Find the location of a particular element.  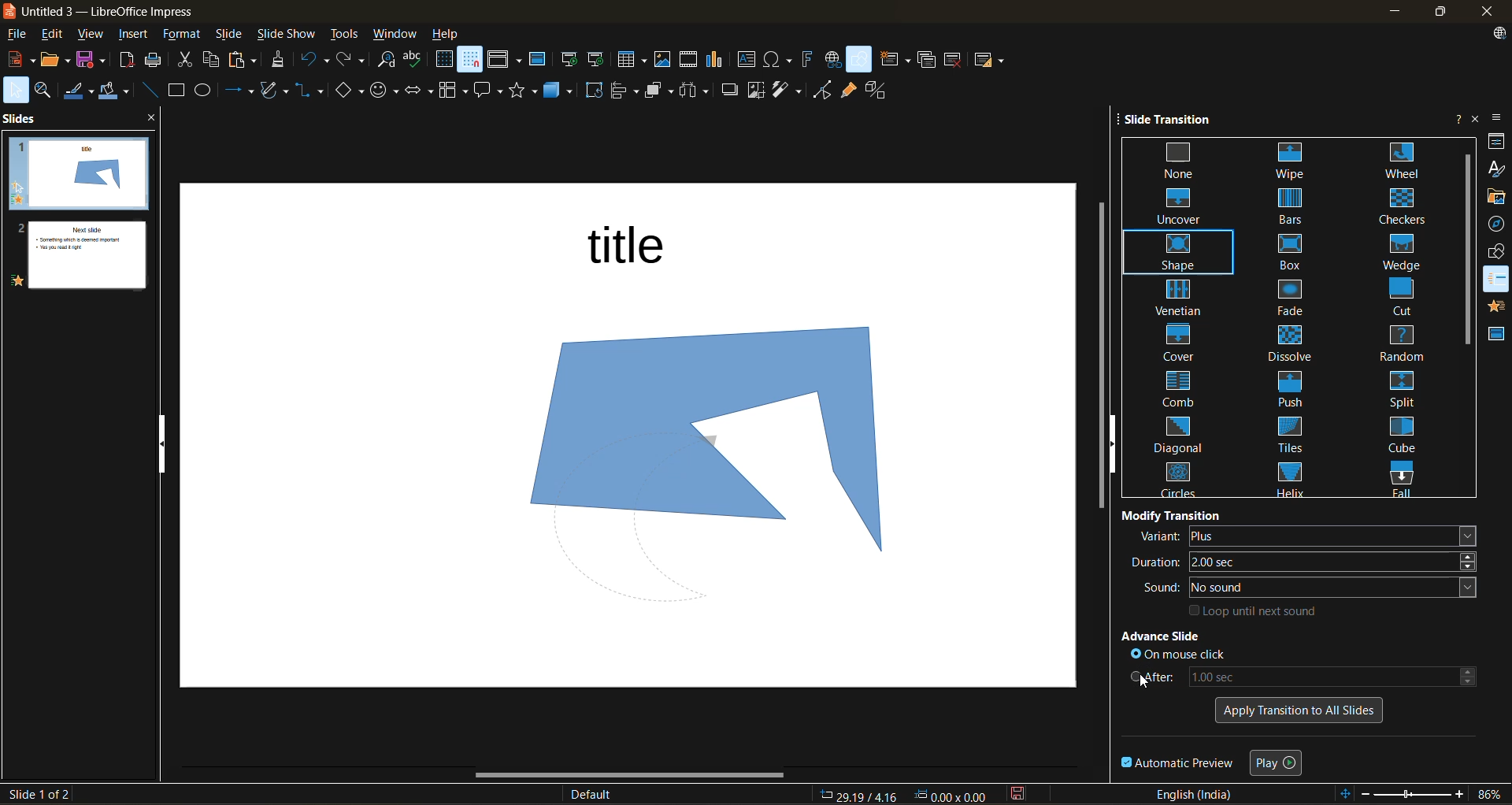

modify transition is located at coordinates (1173, 514).